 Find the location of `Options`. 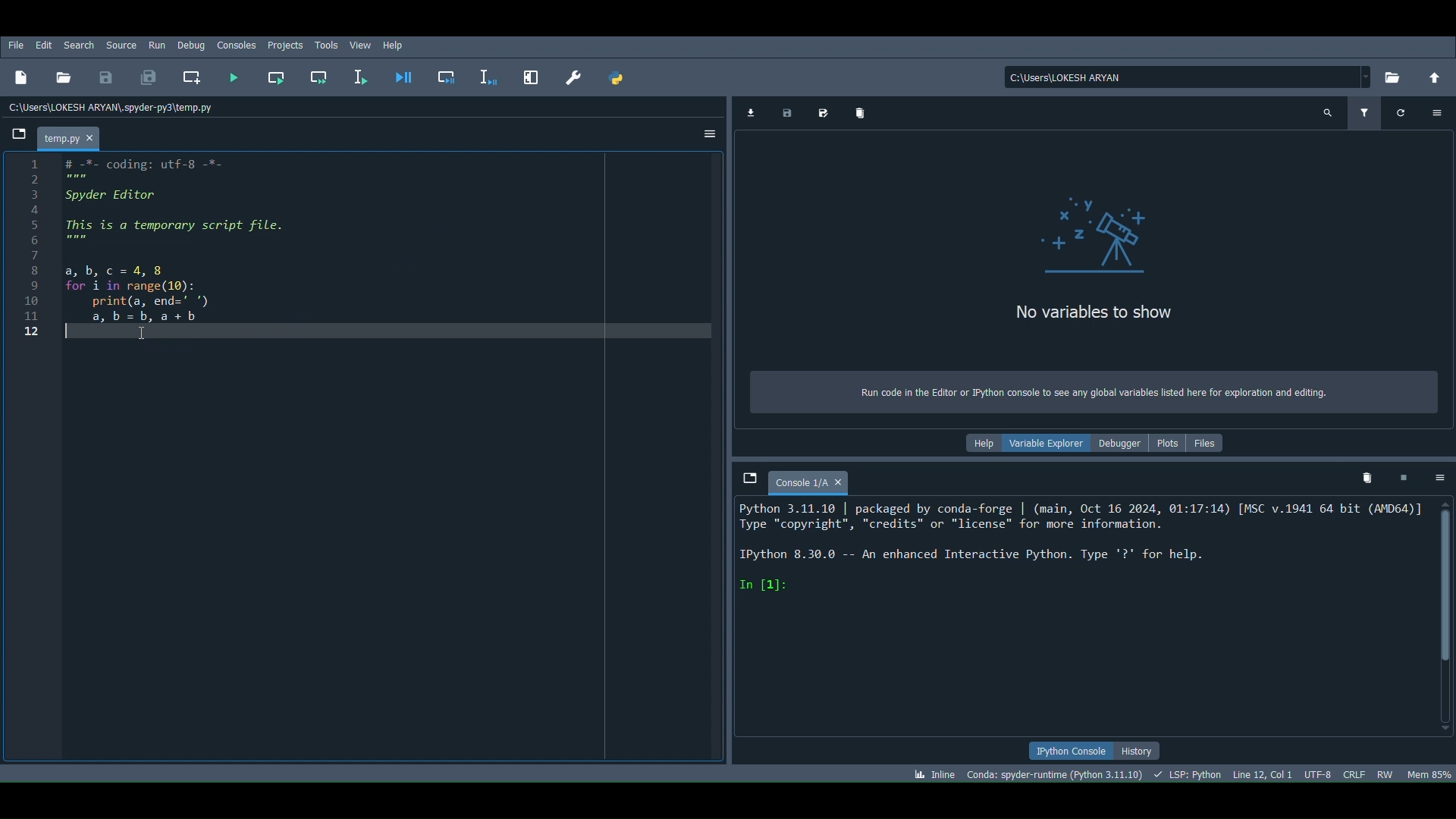

Options is located at coordinates (708, 133).